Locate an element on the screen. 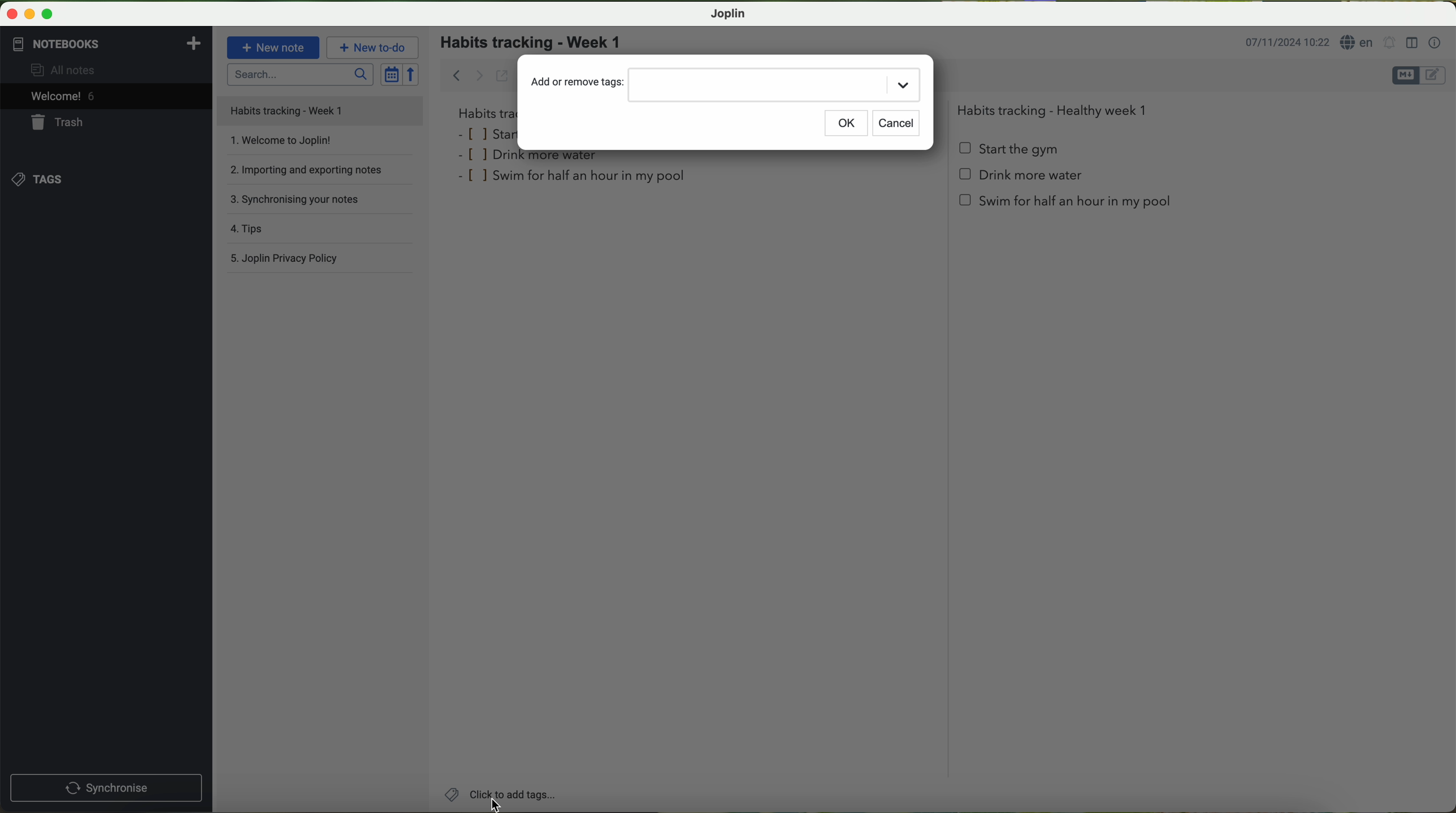  start the gym is located at coordinates (1010, 149).